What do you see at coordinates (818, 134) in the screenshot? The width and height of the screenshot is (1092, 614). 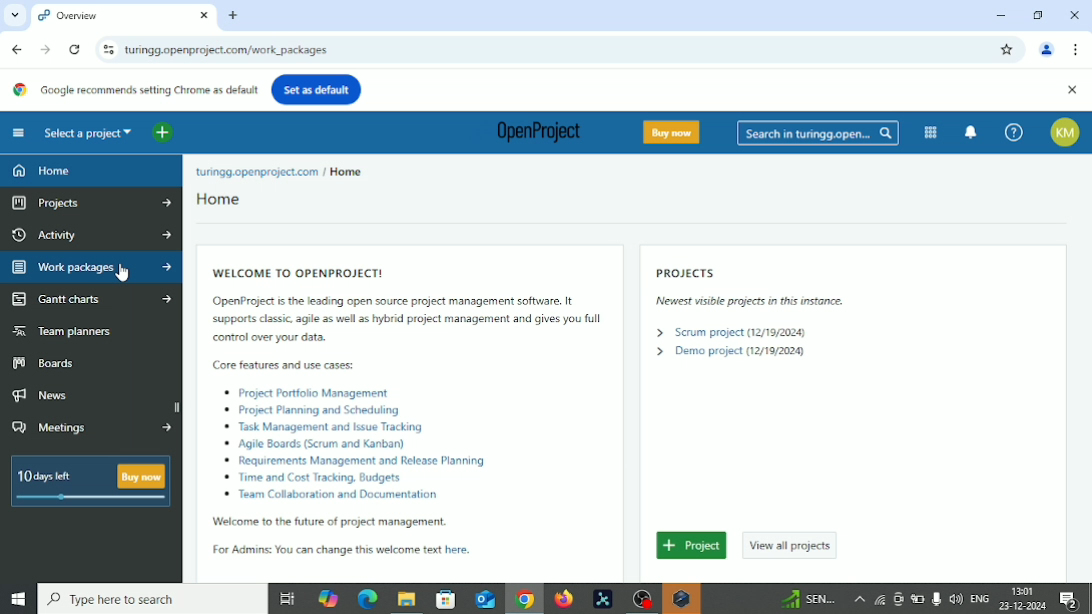 I see `Search` at bounding box center [818, 134].